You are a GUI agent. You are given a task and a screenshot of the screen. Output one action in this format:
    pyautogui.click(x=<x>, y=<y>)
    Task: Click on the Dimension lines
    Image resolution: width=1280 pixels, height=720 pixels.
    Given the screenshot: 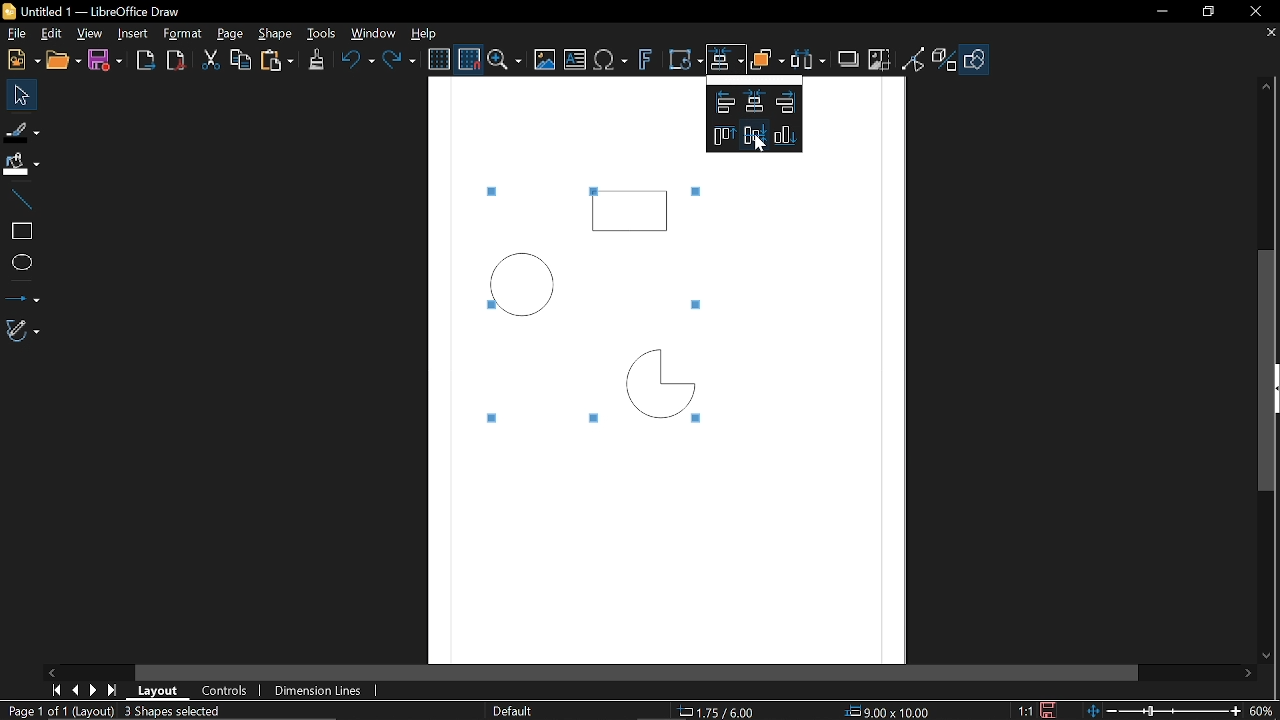 What is the action you would take?
    pyautogui.click(x=327, y=691)
    